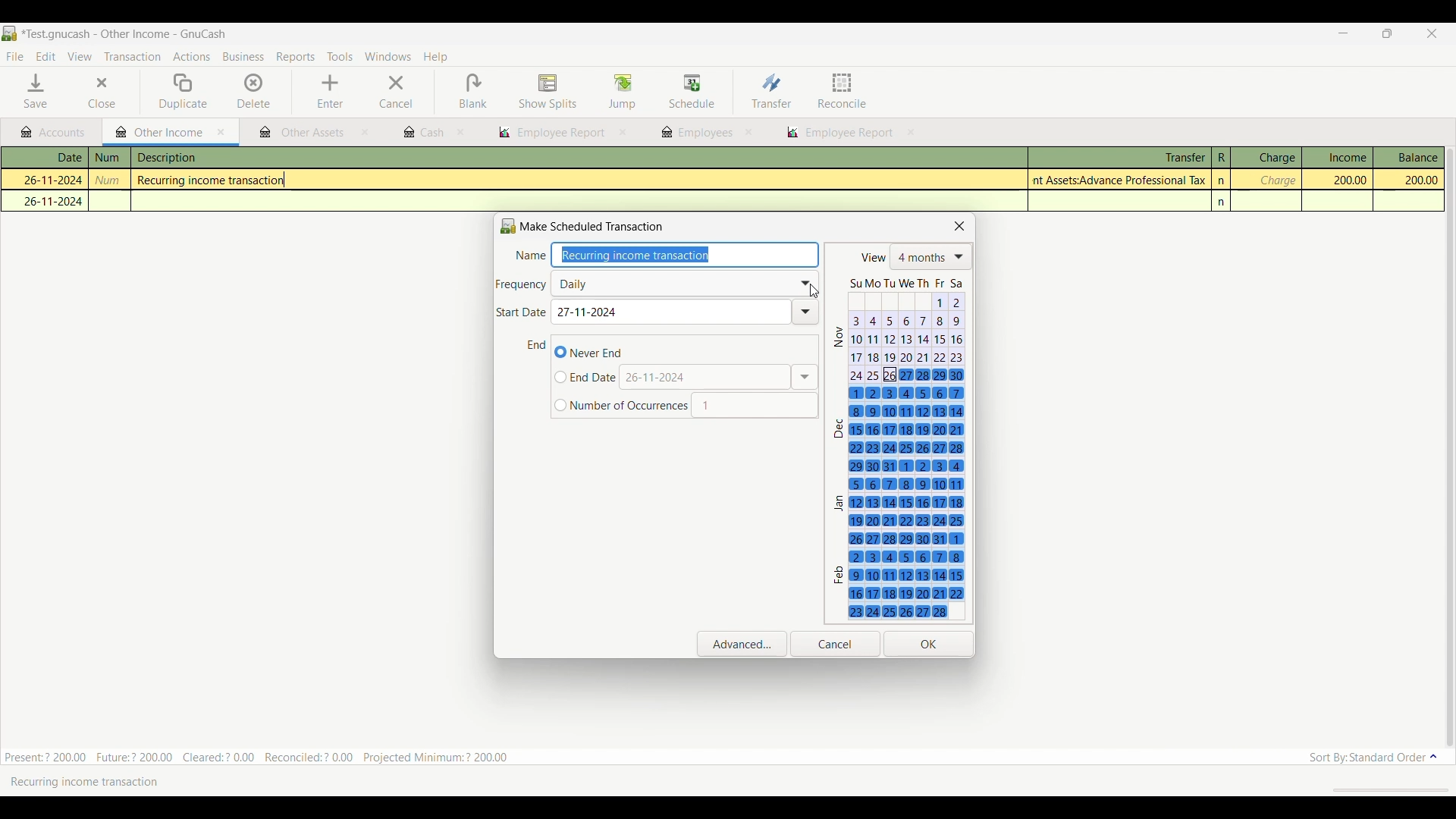 The width and height of the screenshot is (1456, 819). Describe the element at coordinates (695, 133) in the screenshot. I see `employees` at that location.